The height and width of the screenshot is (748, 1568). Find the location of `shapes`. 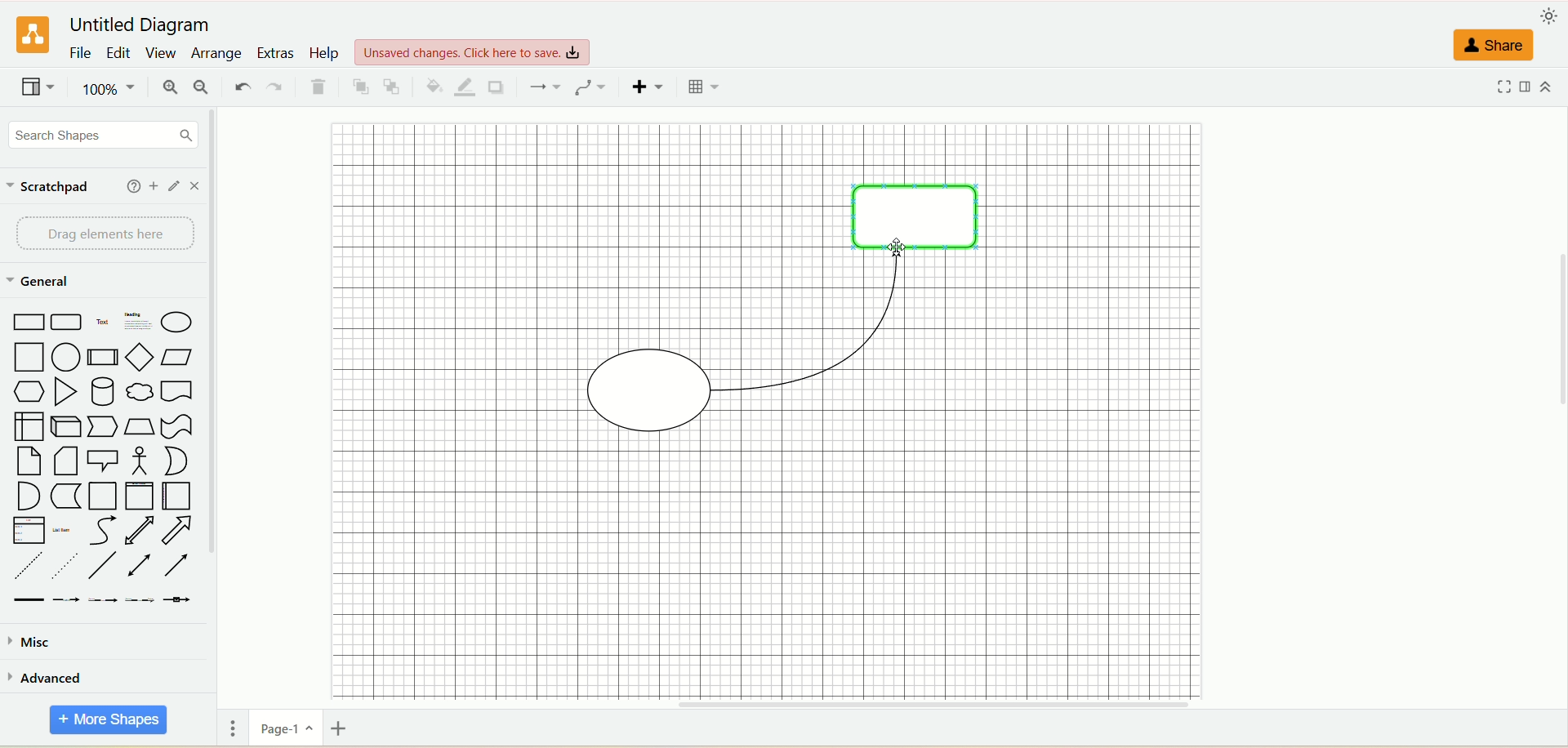

shapes is located at coordinates (100, 456).